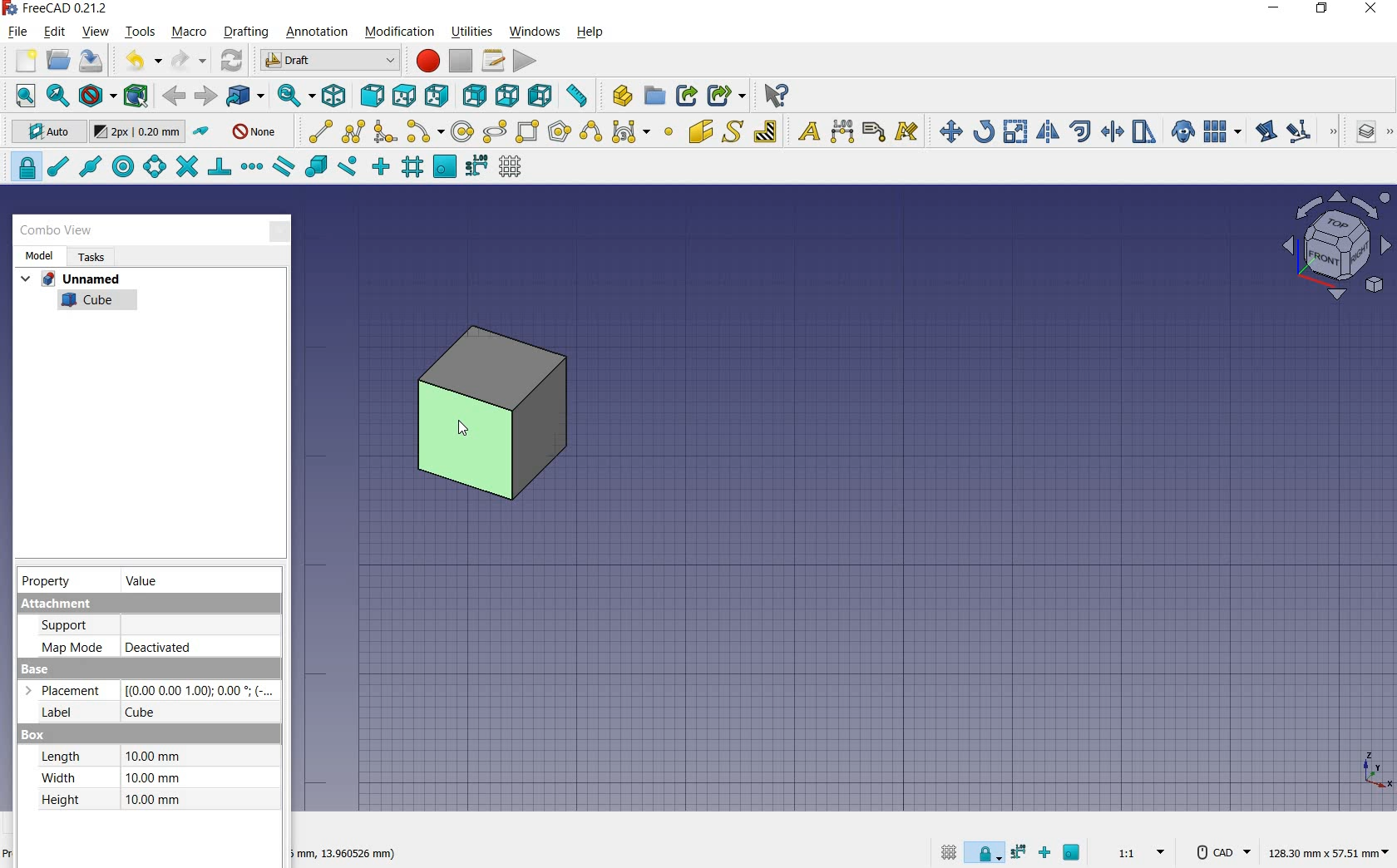 The width and height of the screenshot is (1397, 868). Describe the element at coordinates (983, 855) in the screenshot. I see `snap lock` at that location.